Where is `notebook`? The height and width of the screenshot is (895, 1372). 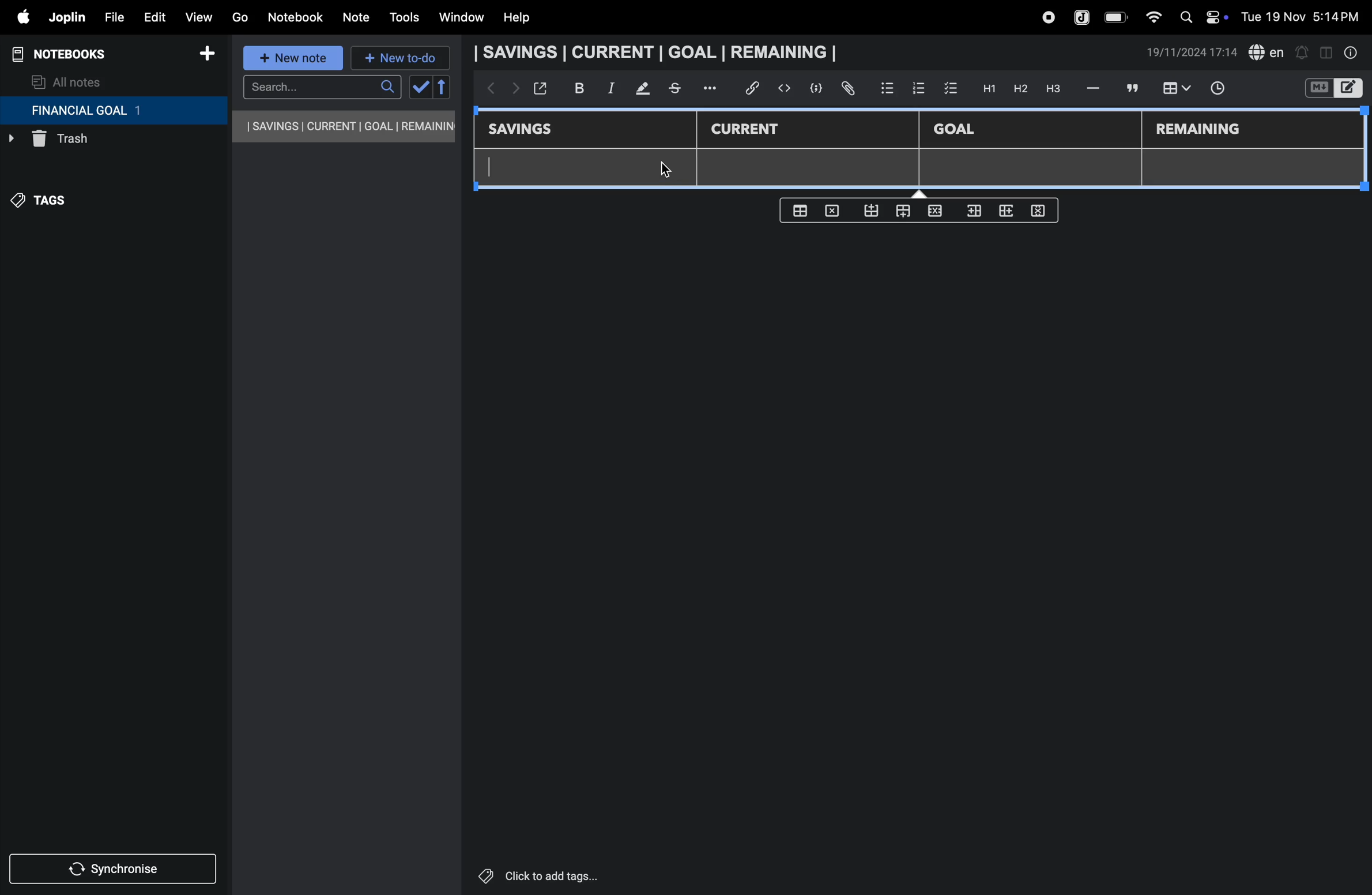 notebook is located at coordinates (295, 17).